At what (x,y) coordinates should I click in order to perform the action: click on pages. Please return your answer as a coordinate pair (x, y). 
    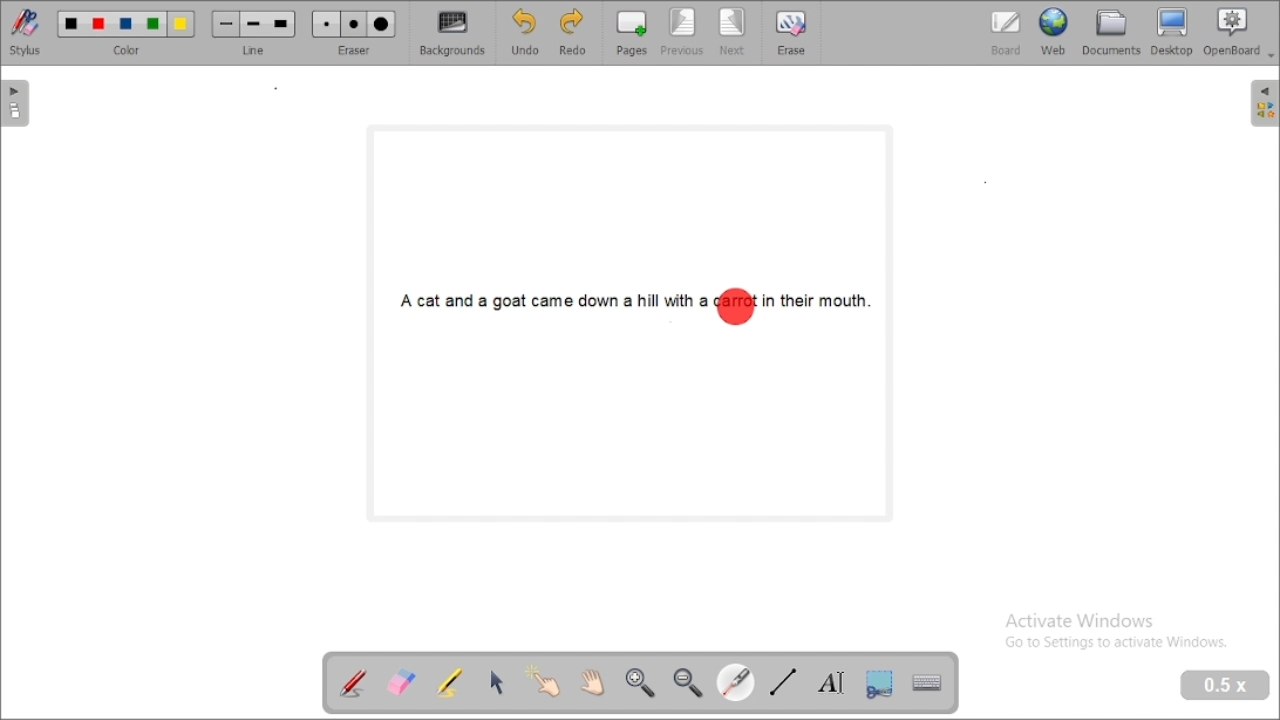
    Looking at the image, I should click on (631, 33).